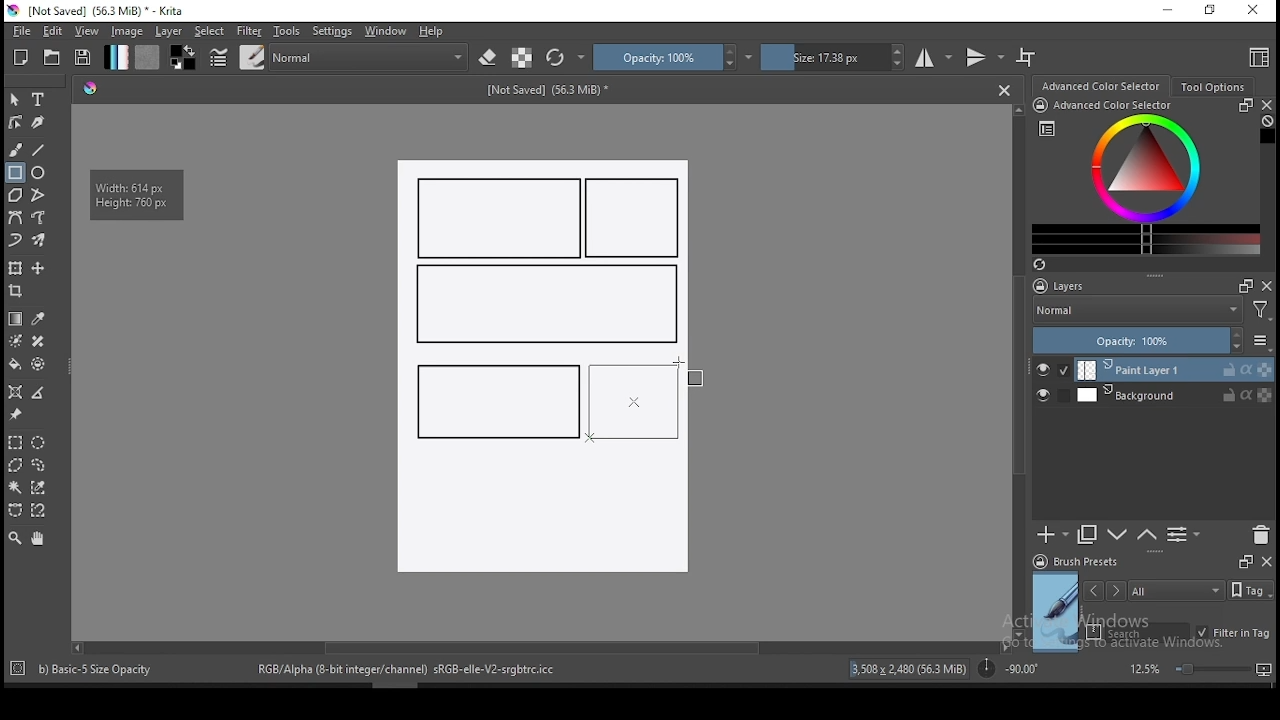 Image resolution: width=1280 pixels, height=720 pixels. Describe the element at coordinates (522, 59) in the screenshot. I see `preserve alpha` at that location.